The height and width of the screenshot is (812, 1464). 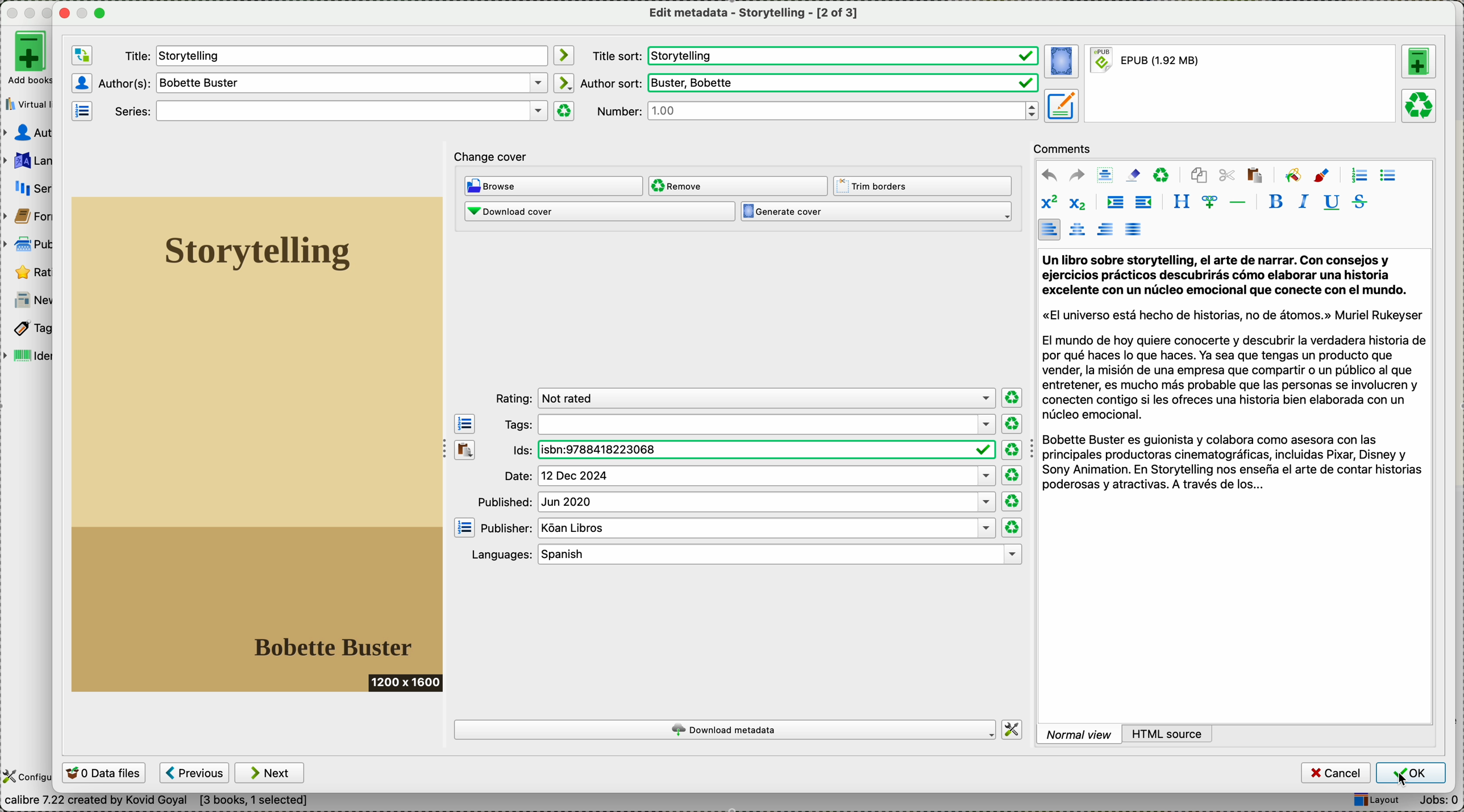 I want to click on decrease indentation, so click(x=1144, y=203).